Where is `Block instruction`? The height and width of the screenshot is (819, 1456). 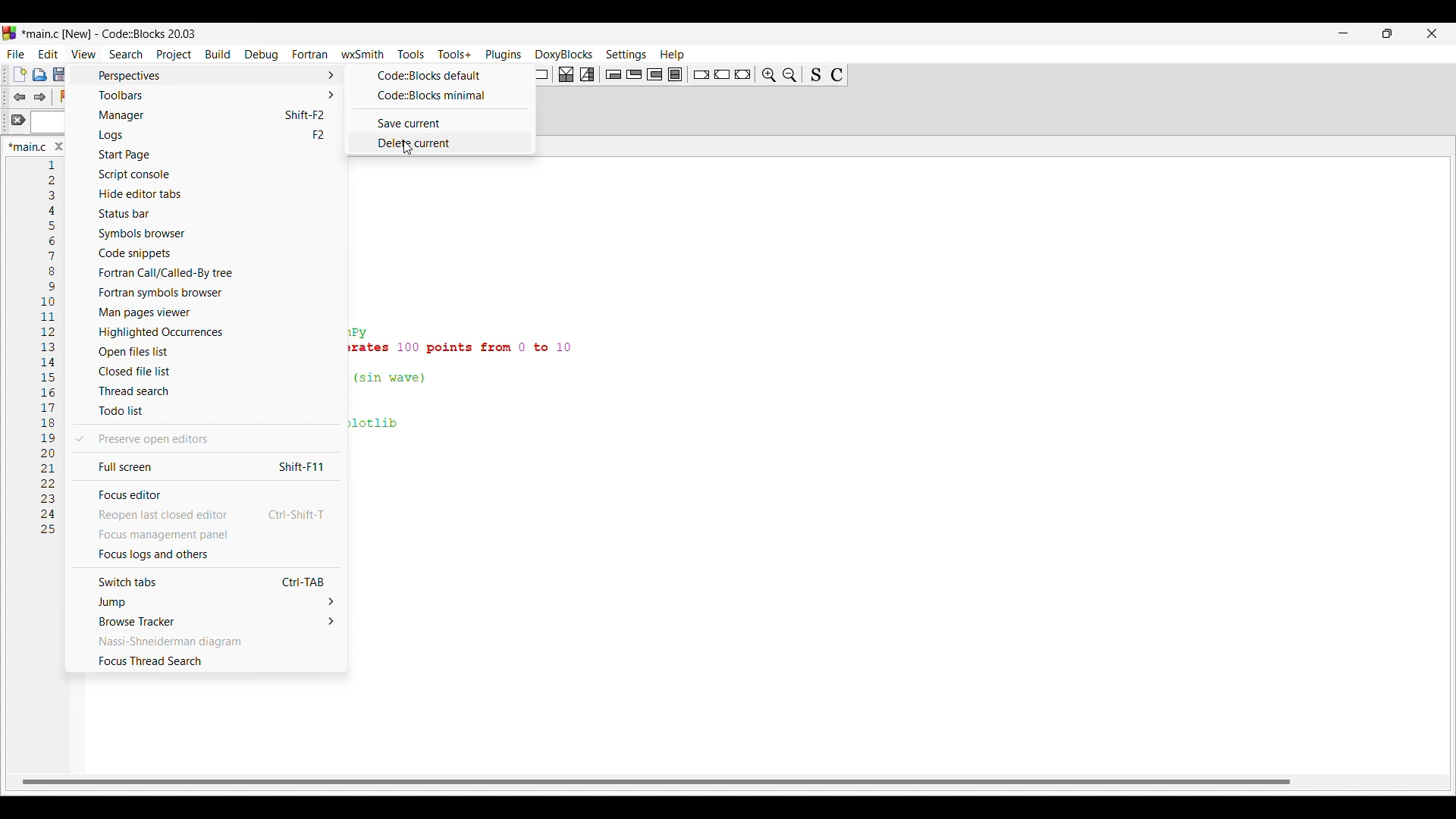 Block instruction is located at coordinates (675, 74).